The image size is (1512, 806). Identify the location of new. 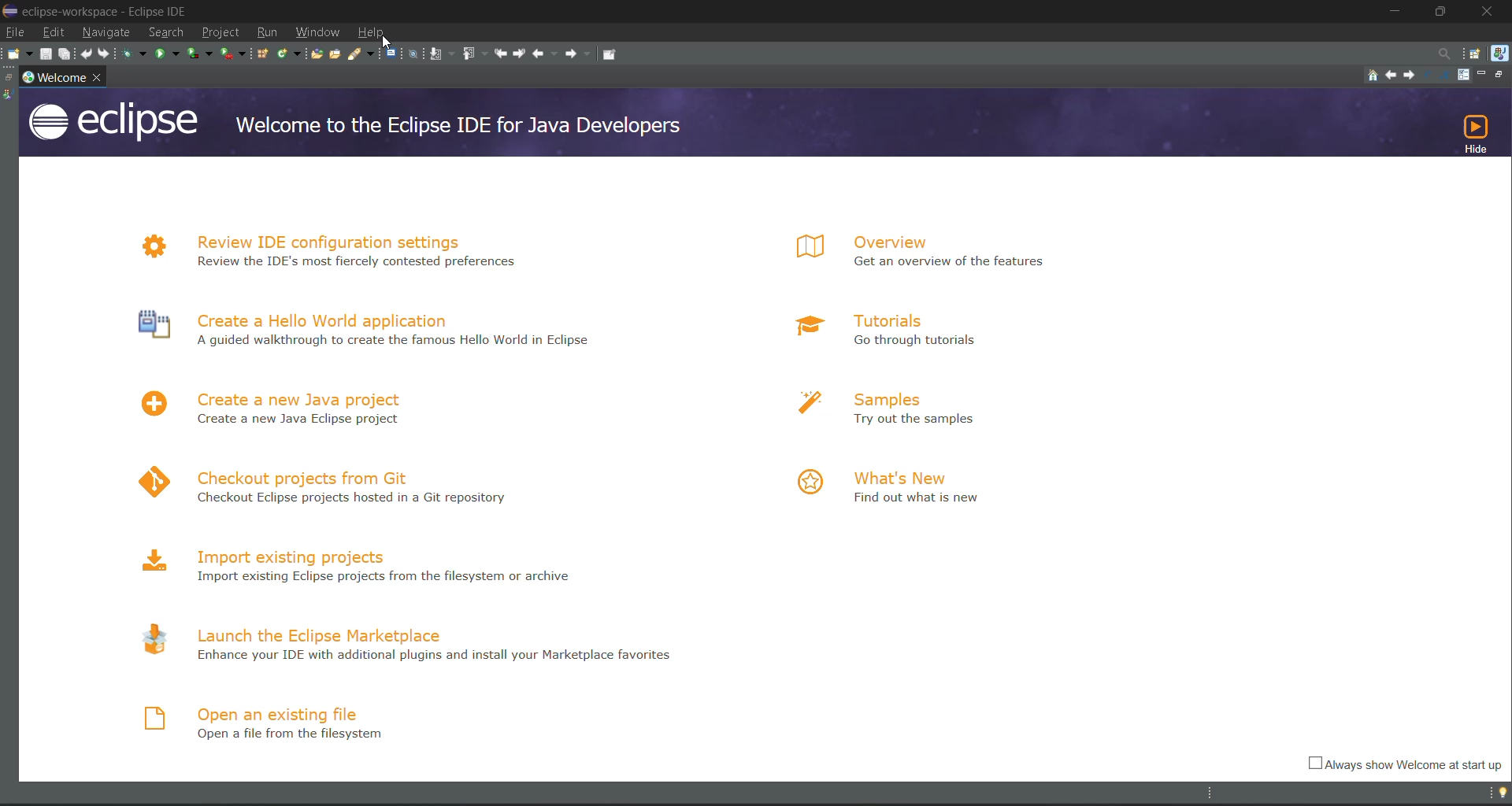
(17, 53).